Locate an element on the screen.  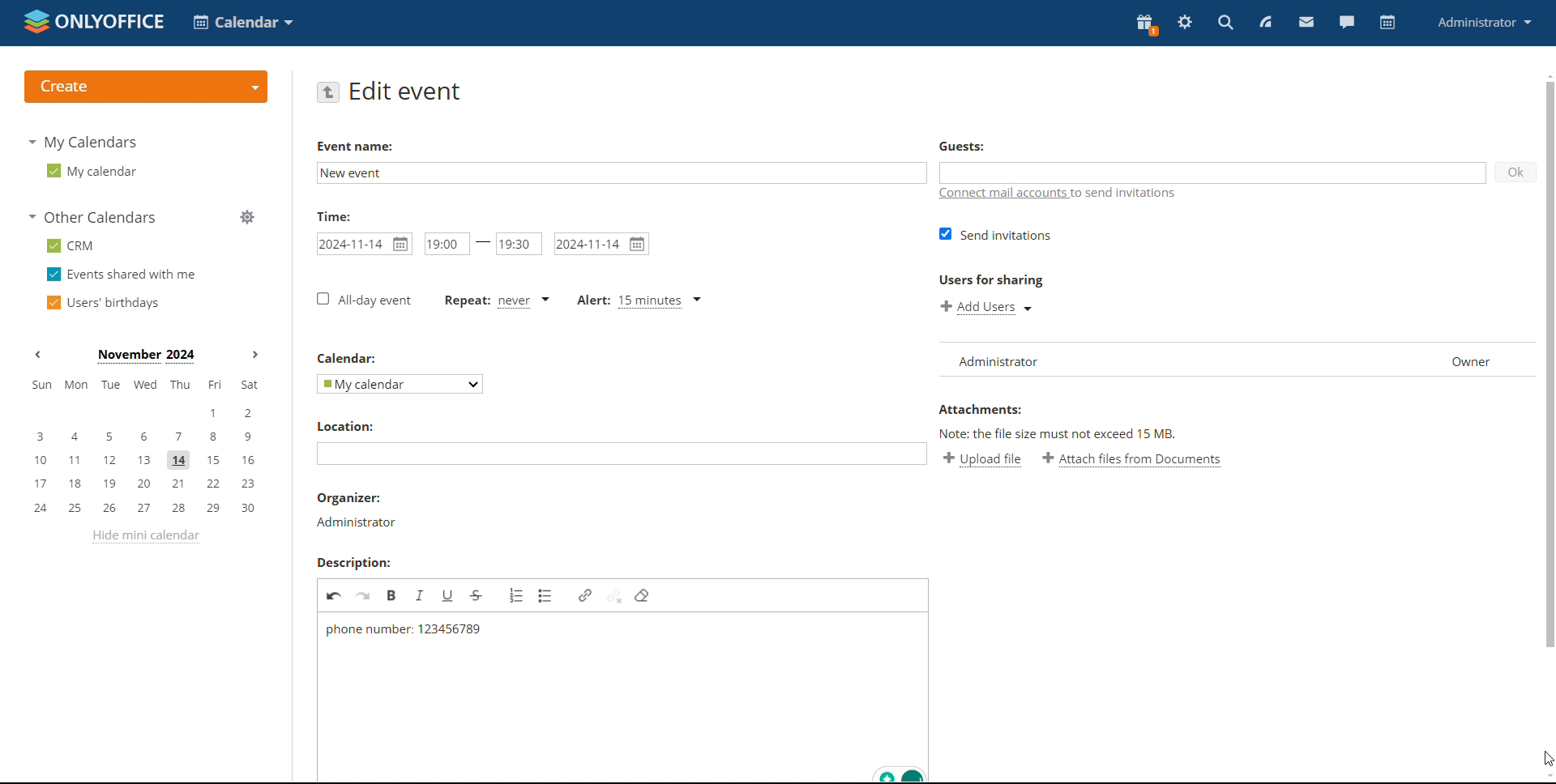
undo is located at coordinates (333, 594).